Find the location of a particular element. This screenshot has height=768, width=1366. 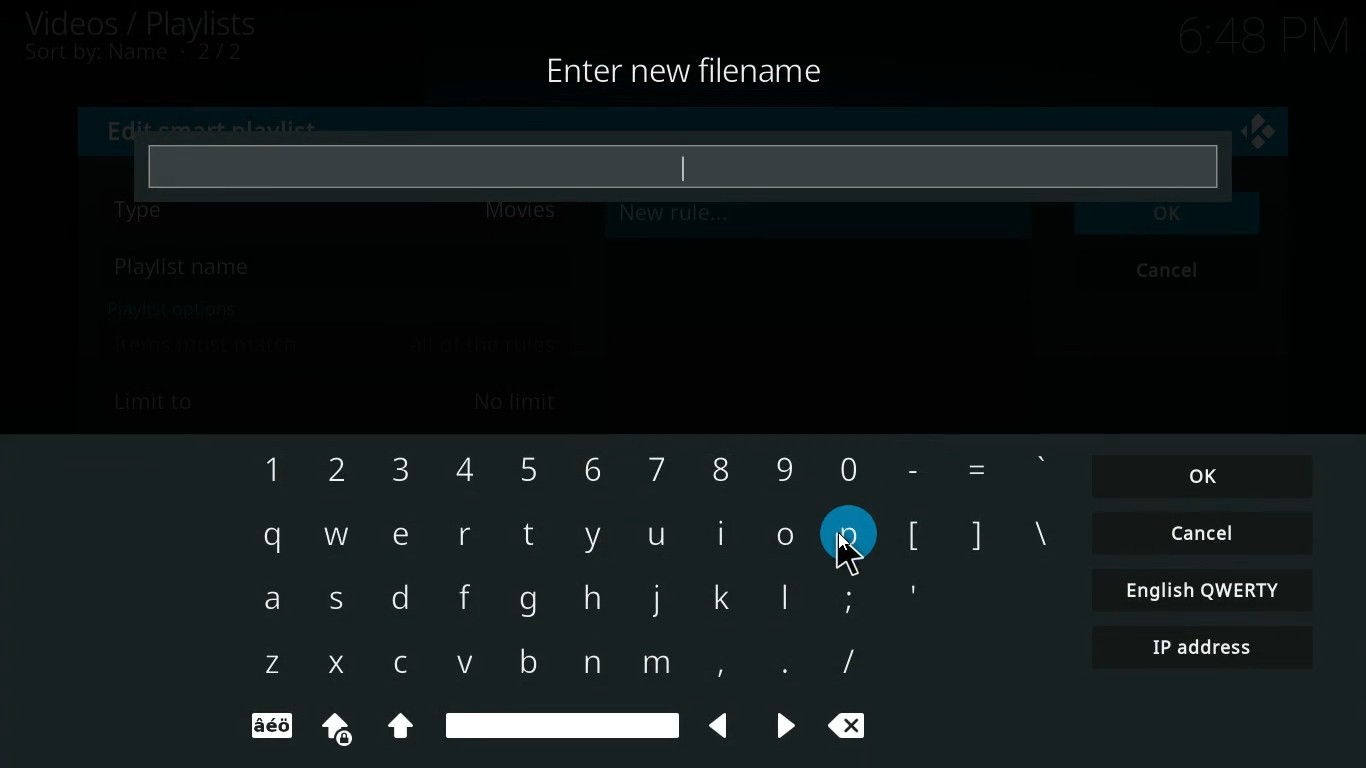

X is located at coordinates (334, 665).